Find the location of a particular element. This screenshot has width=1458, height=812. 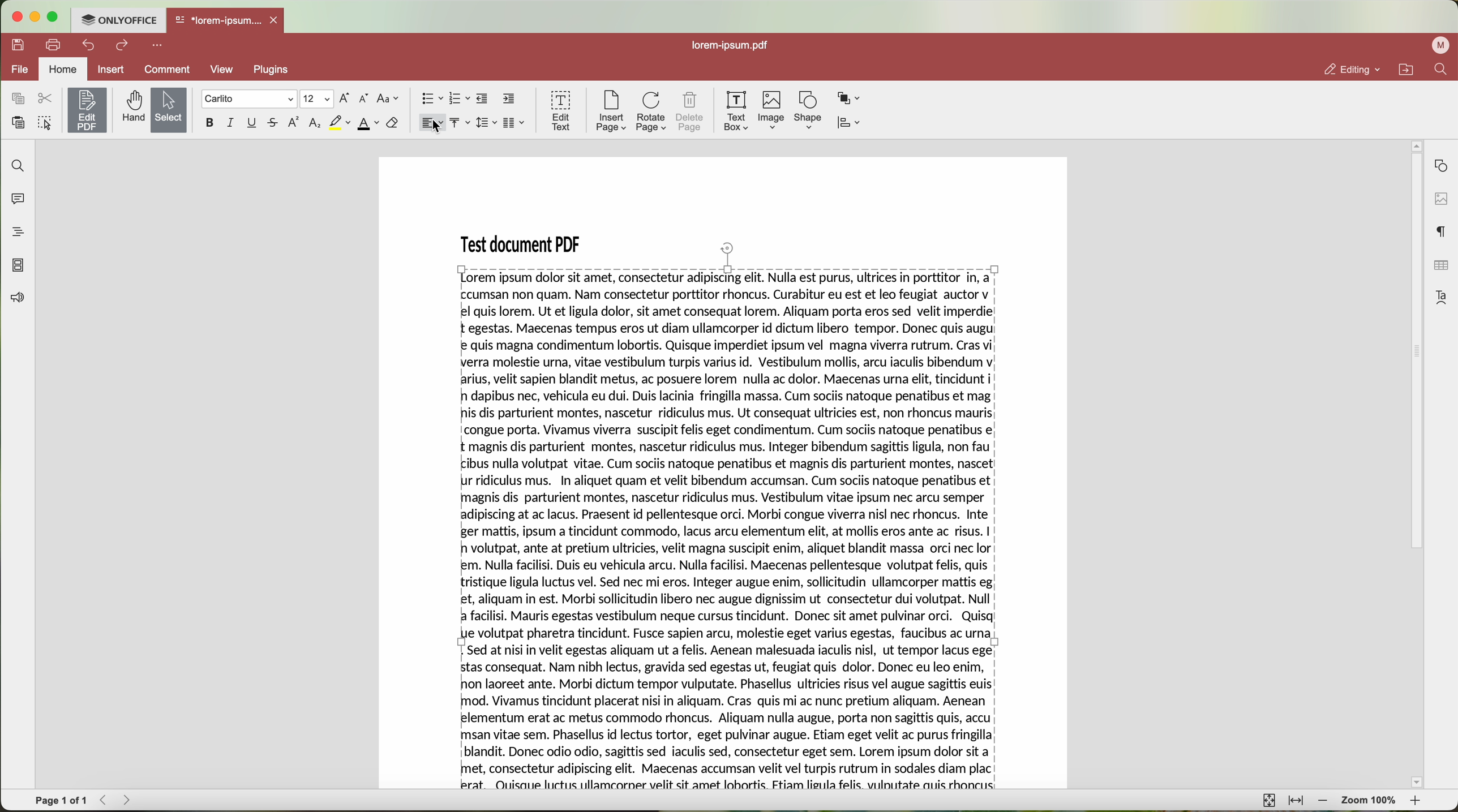

bullet points is located at coordinates (431, 98).